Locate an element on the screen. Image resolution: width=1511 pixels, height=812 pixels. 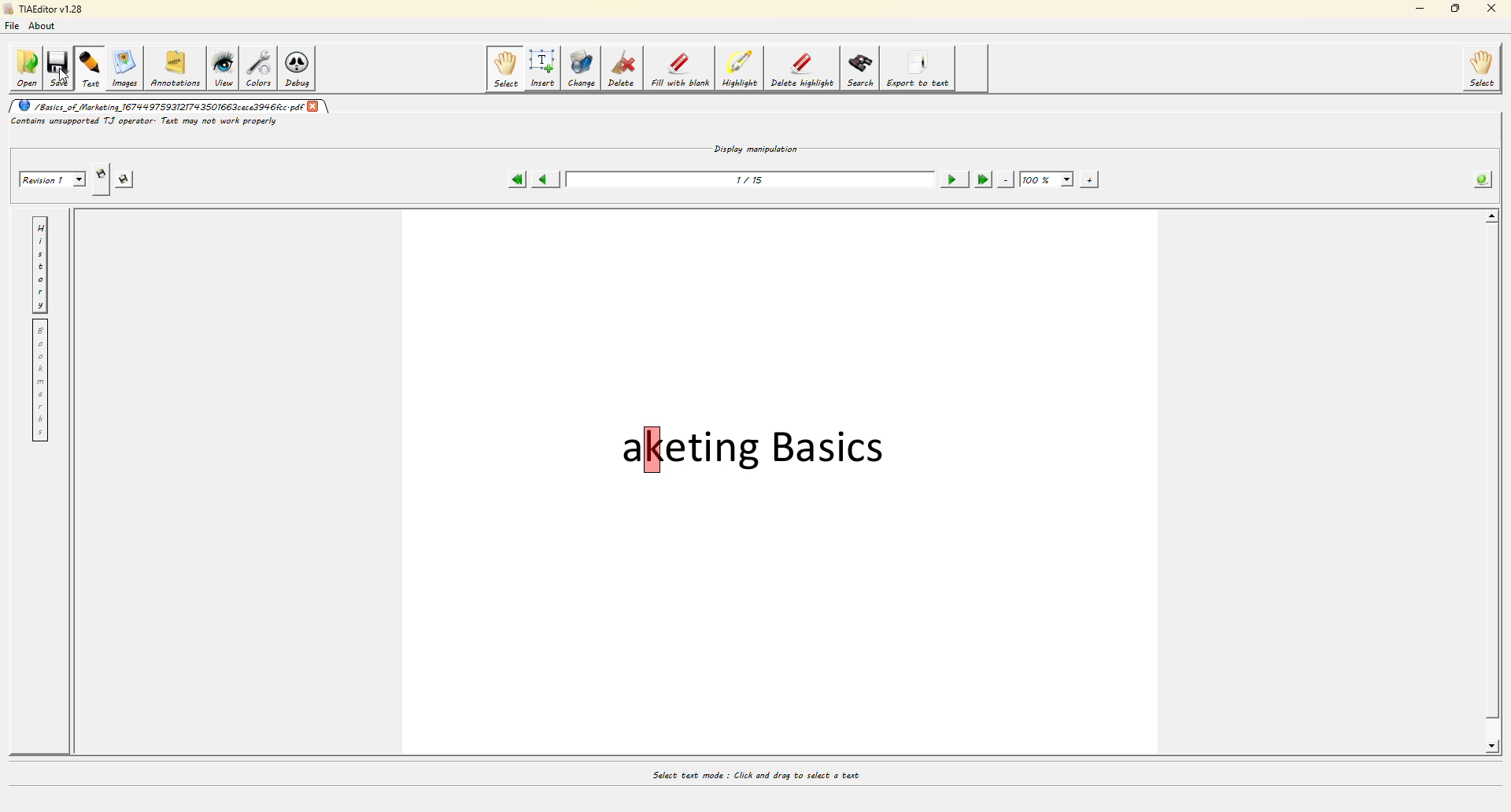
previous page is located at coordinates (548, 176).